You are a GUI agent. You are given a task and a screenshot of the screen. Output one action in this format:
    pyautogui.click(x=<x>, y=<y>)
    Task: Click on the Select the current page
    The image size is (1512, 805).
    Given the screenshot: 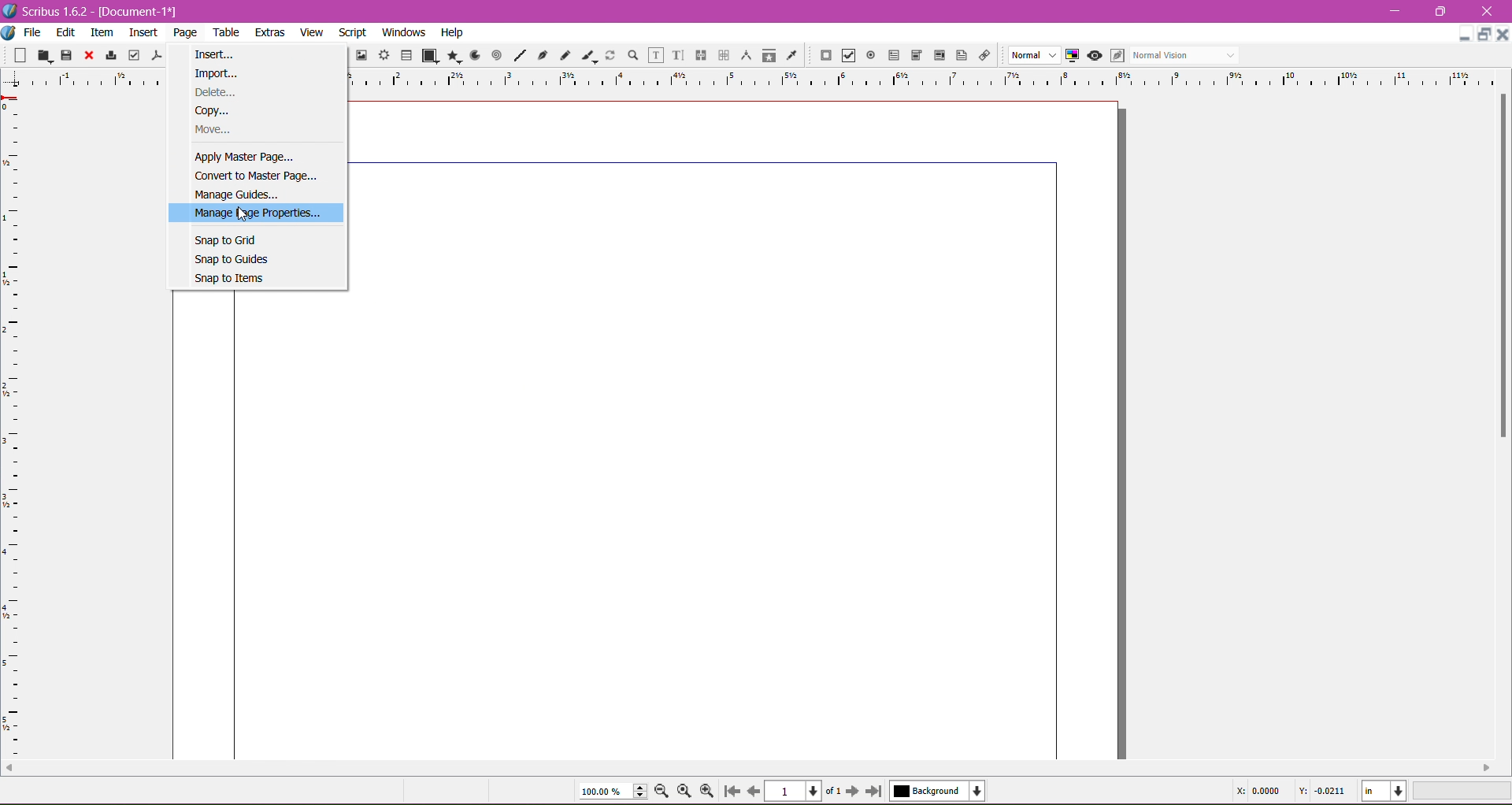 What is the action you would take?
    pyautogui.click(x=804, y=791)
    